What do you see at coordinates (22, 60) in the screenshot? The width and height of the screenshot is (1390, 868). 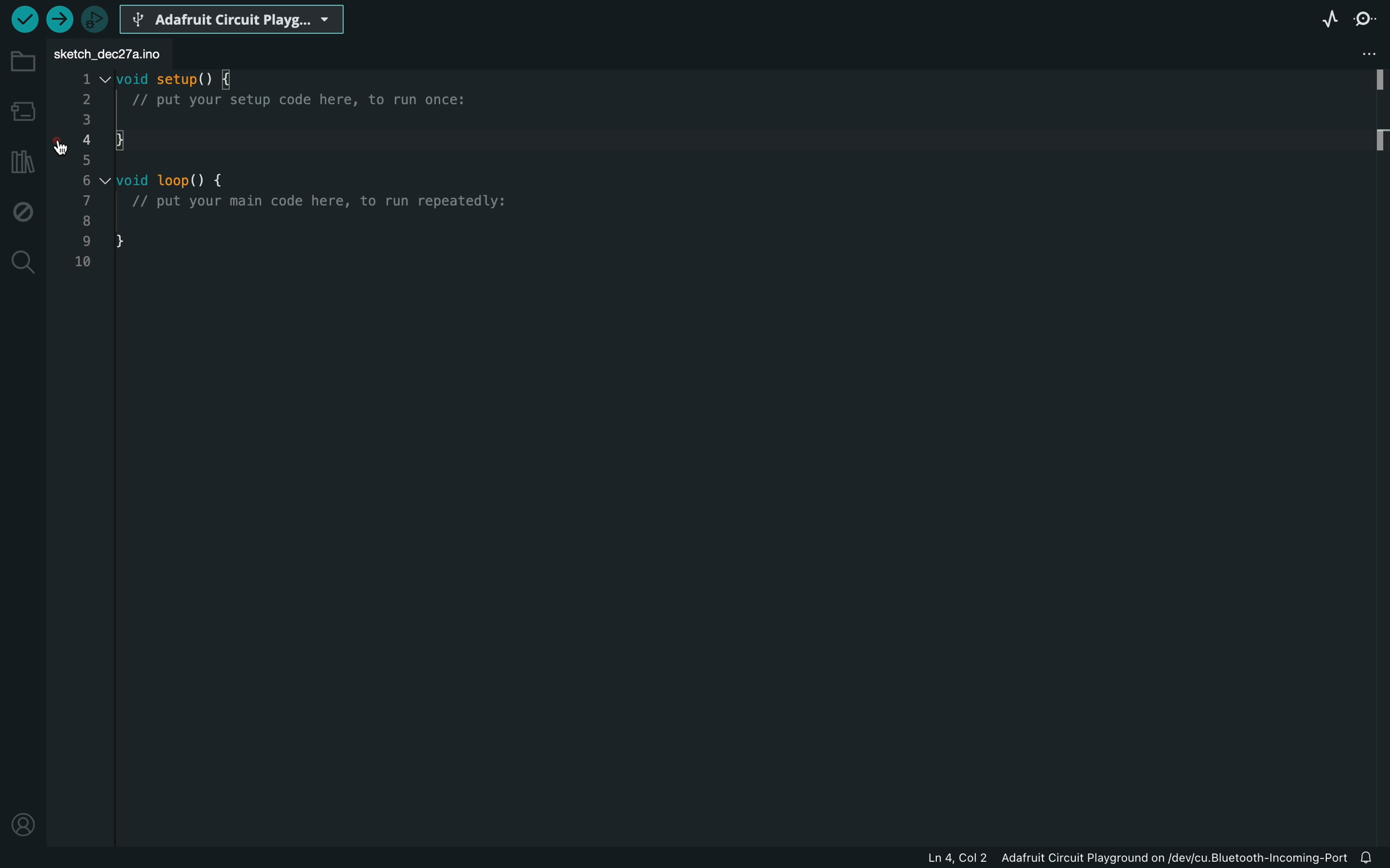 I see `folder` at bounding box center [22, 60].